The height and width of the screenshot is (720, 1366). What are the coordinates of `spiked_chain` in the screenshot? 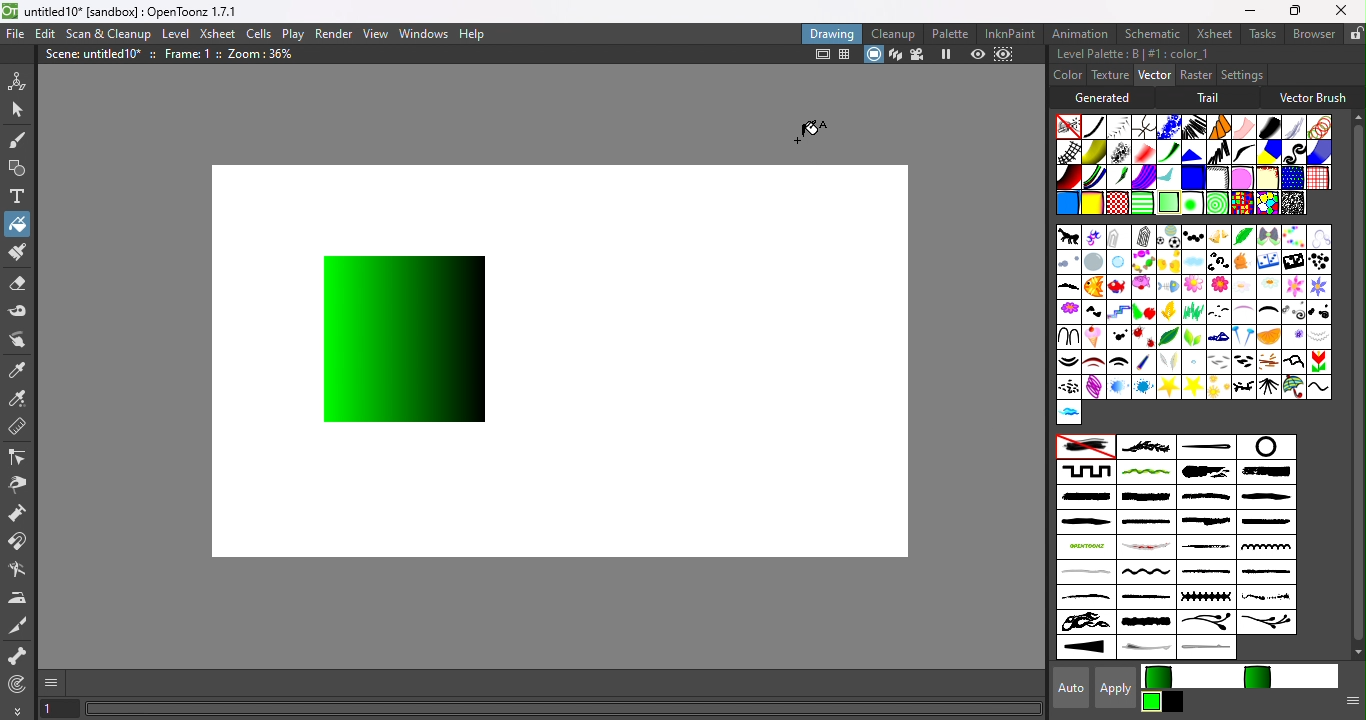 It's located at (1208, 598).